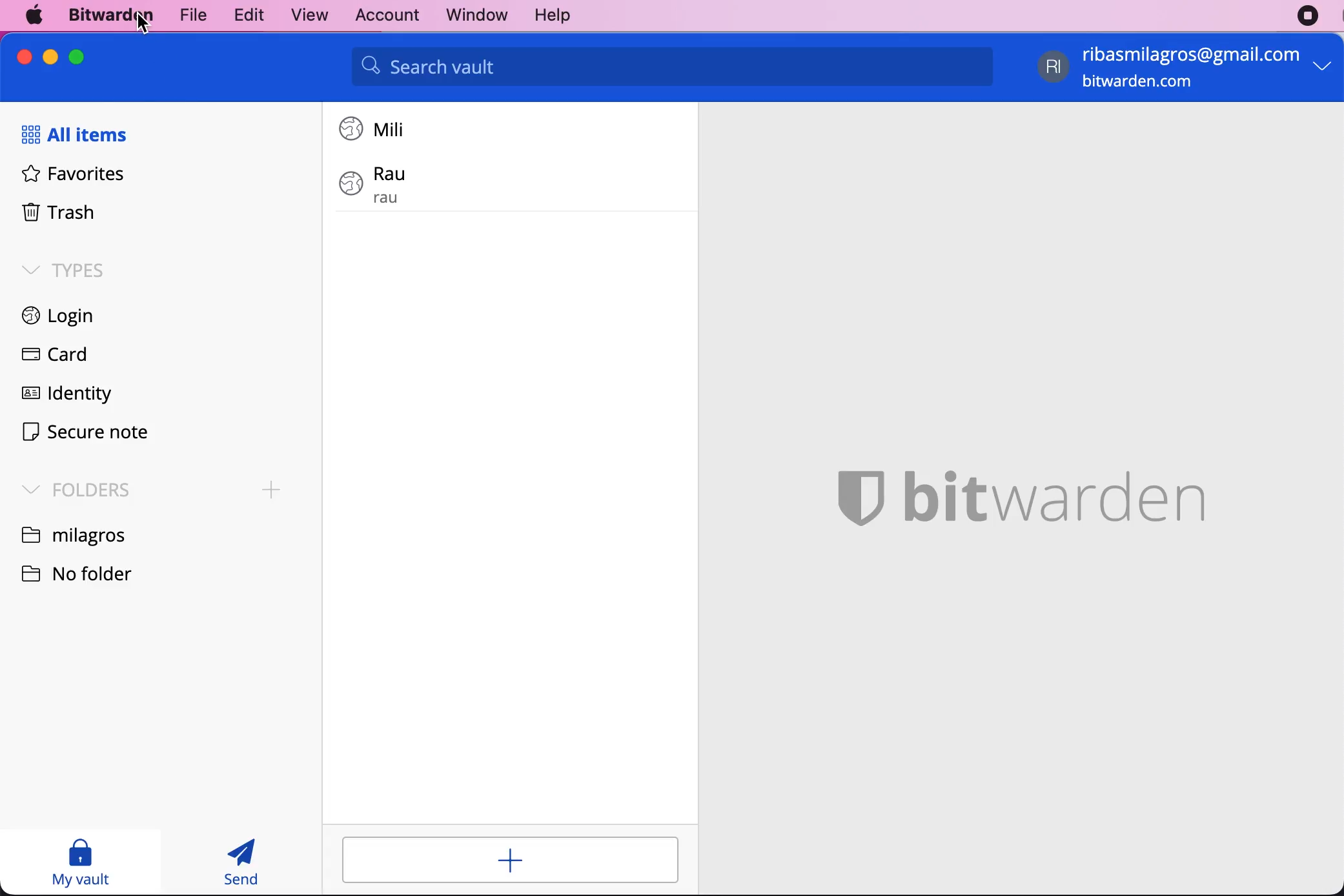 The height and width of the screenshot is (896, 1344). What do you see at coordinates (1019, 491) in the screenshot?
I see `bitwarden logo` at bounding box center [1019, 491].